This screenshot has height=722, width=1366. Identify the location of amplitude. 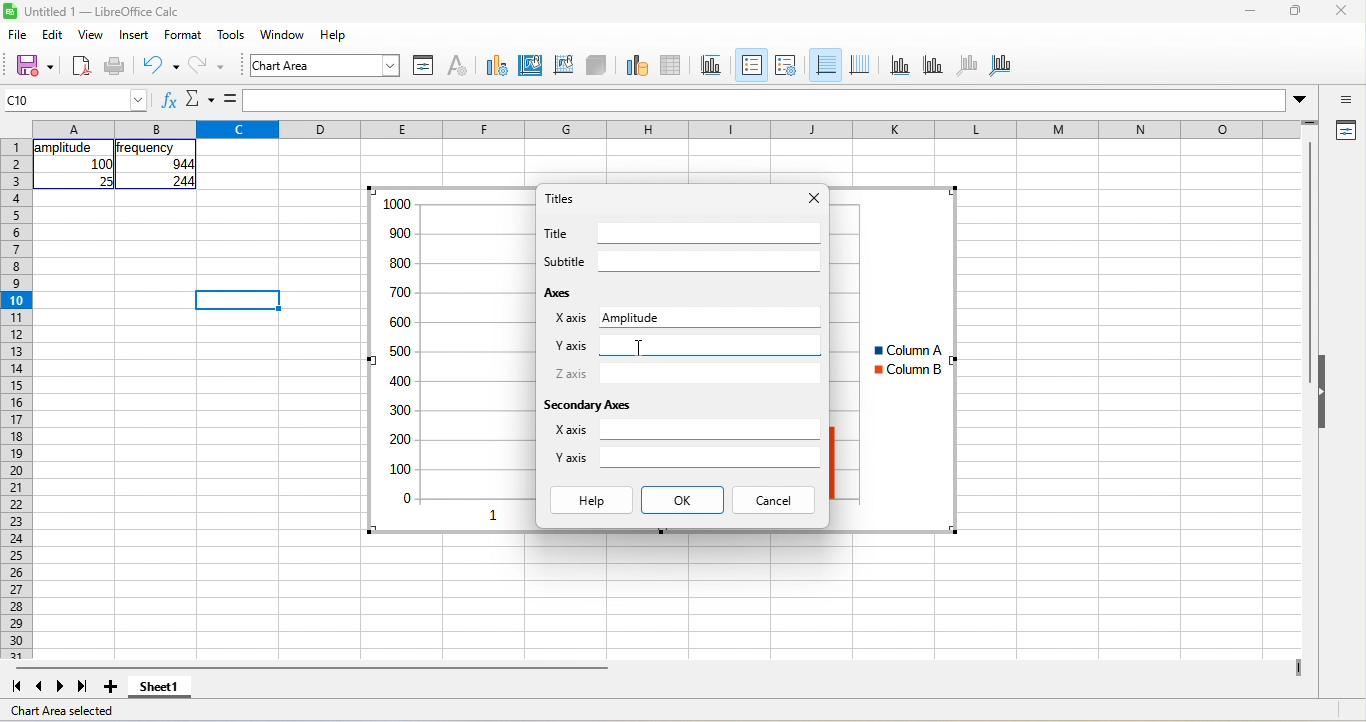
(66, 148).